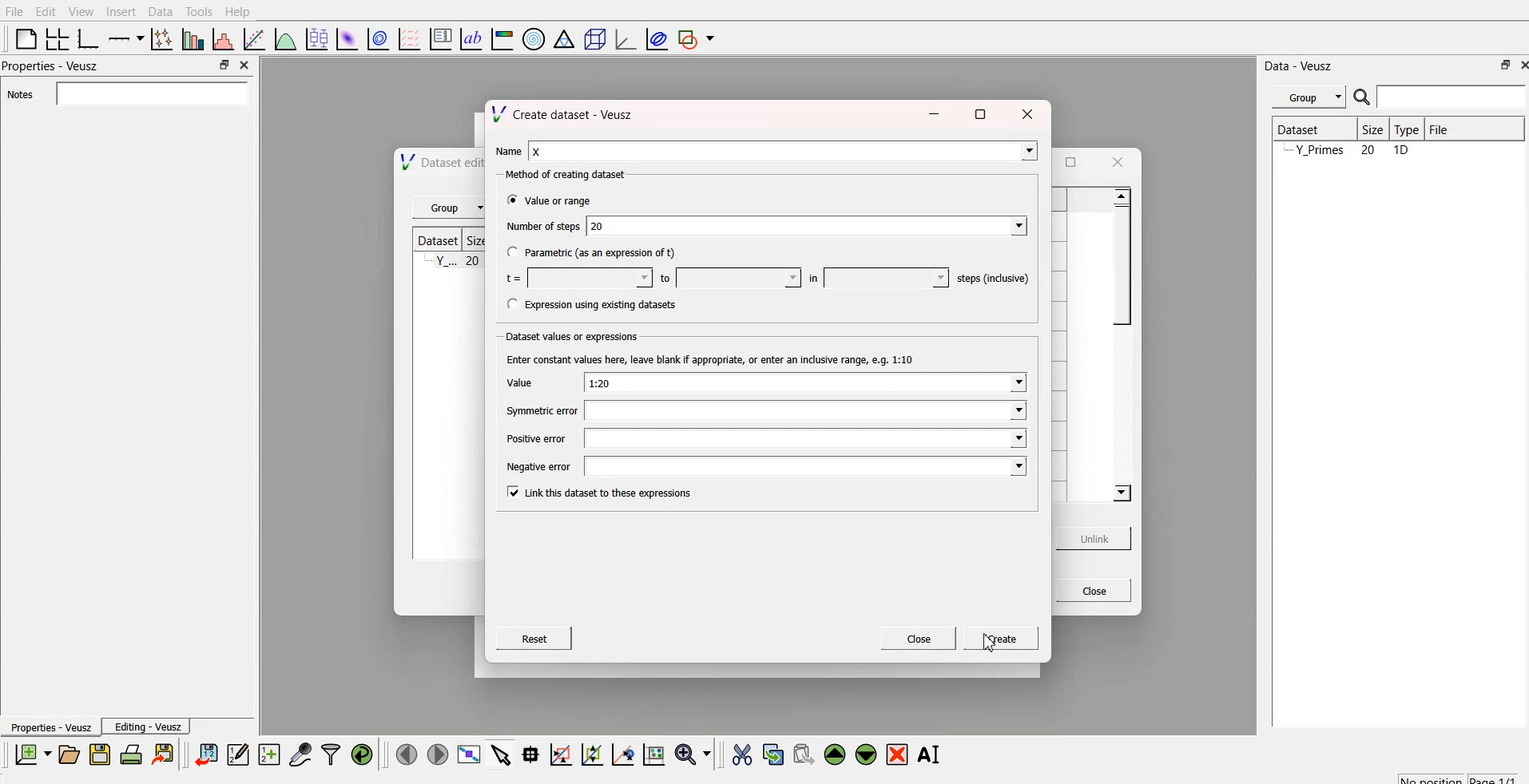 The width and height of the screenshot is (1529, 784). What do you see at coordinates (85, 37) in the screenshot?
I see `base graph` at bounding box center [85, 37].